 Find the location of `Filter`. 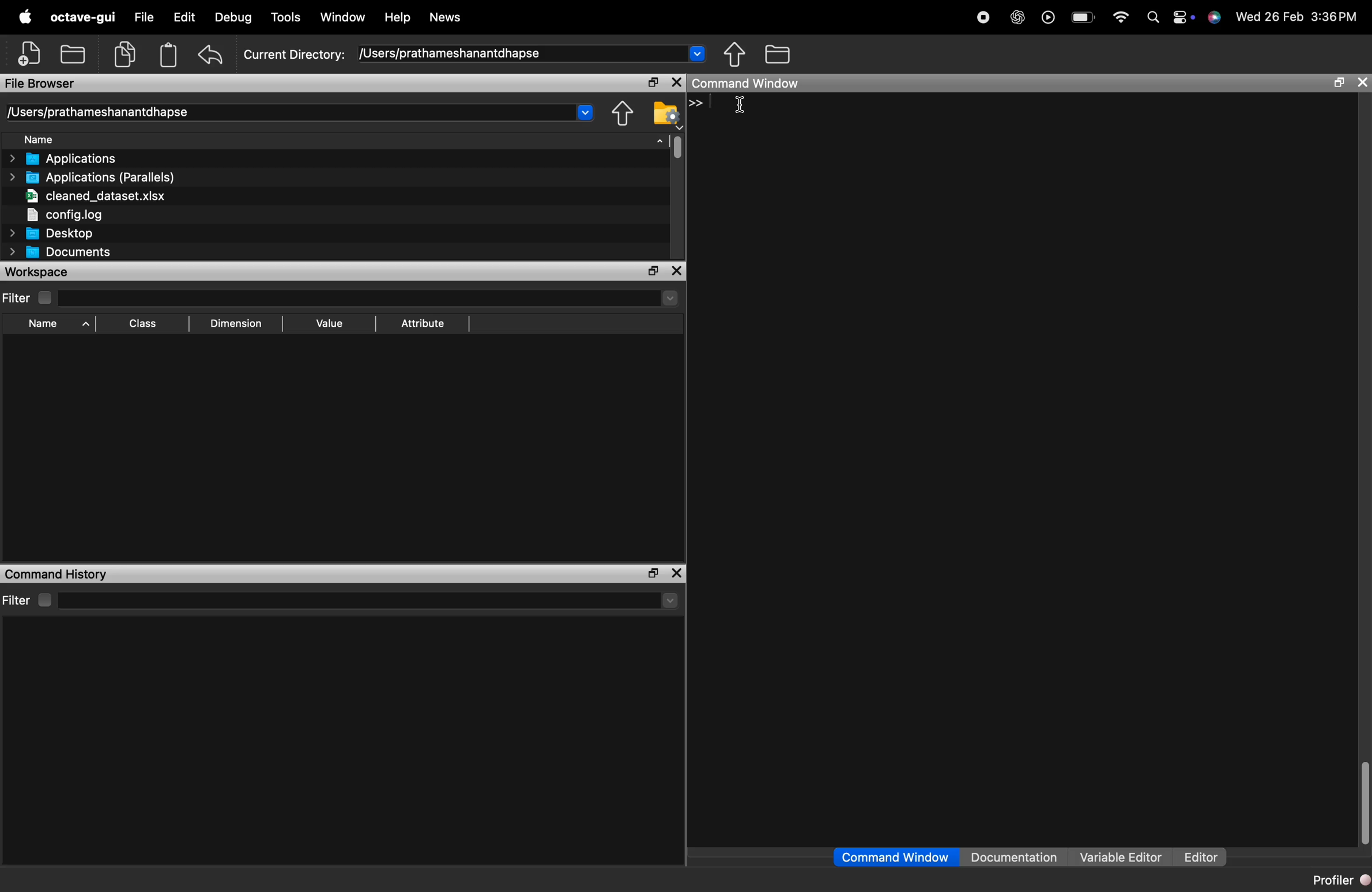

Filter is located at coordinates (28, 599).